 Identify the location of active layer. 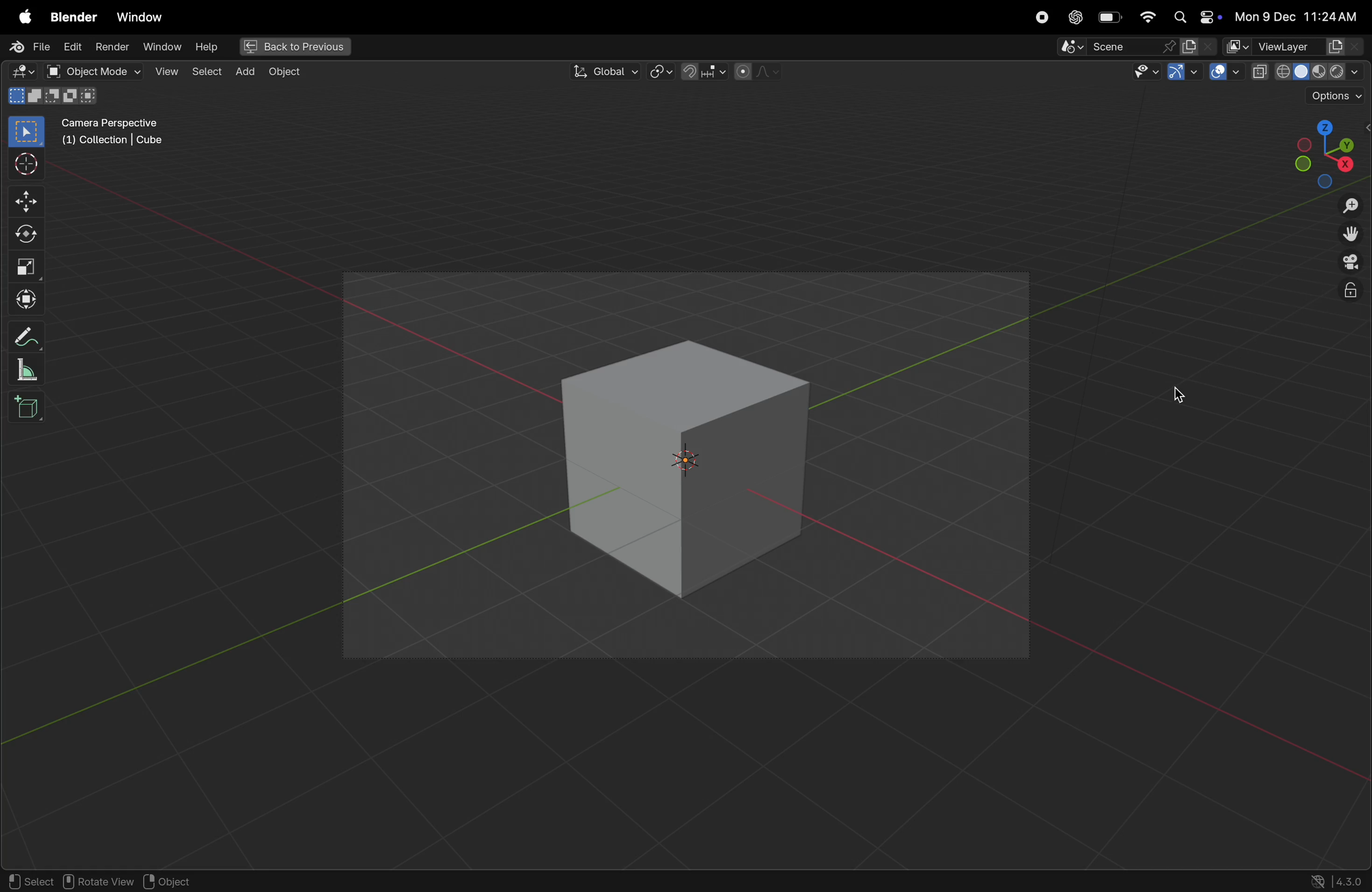
(1199, 47).